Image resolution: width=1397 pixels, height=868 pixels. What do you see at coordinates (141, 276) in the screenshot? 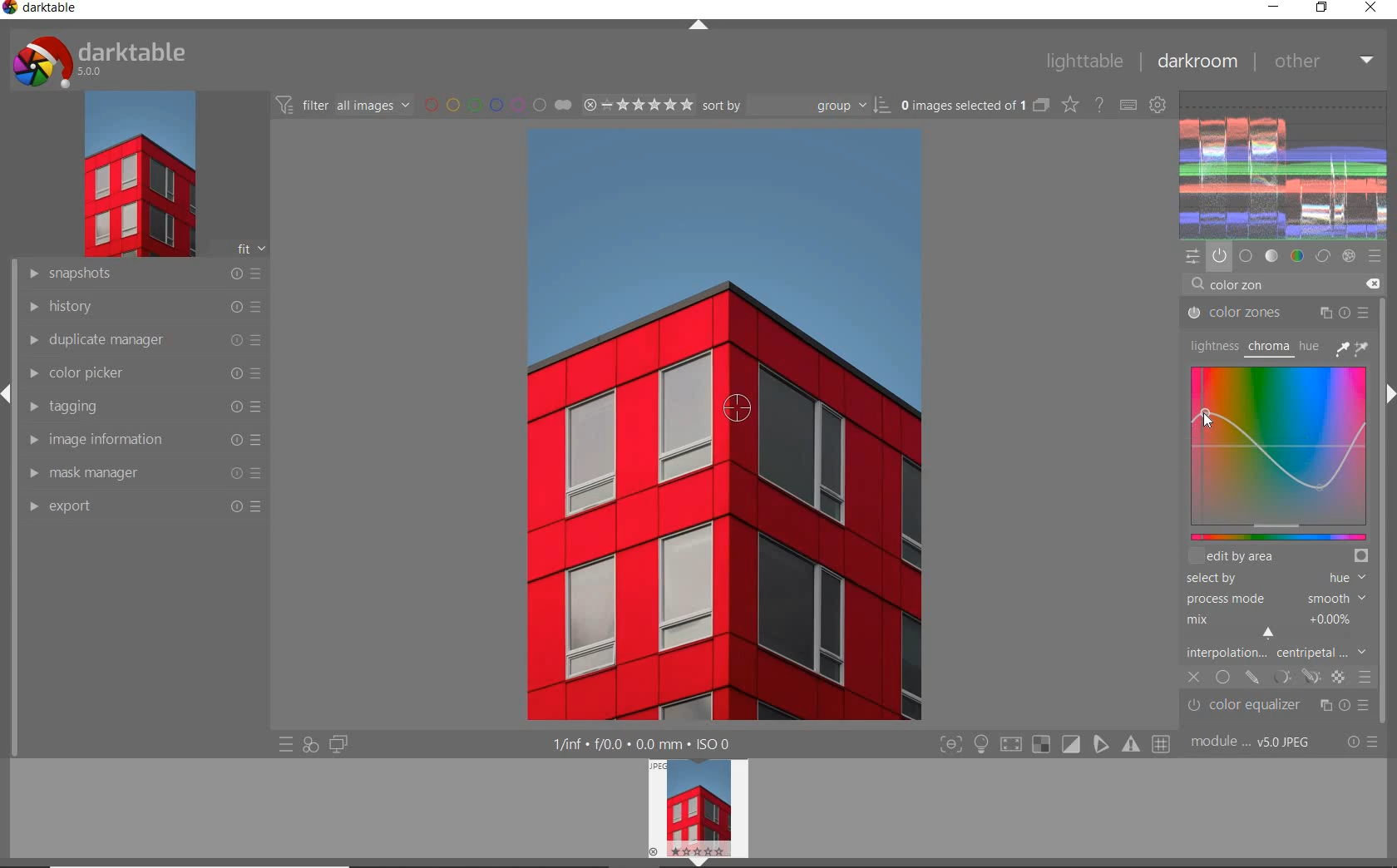
I see `snapshots` at bounding box center [141, 276].